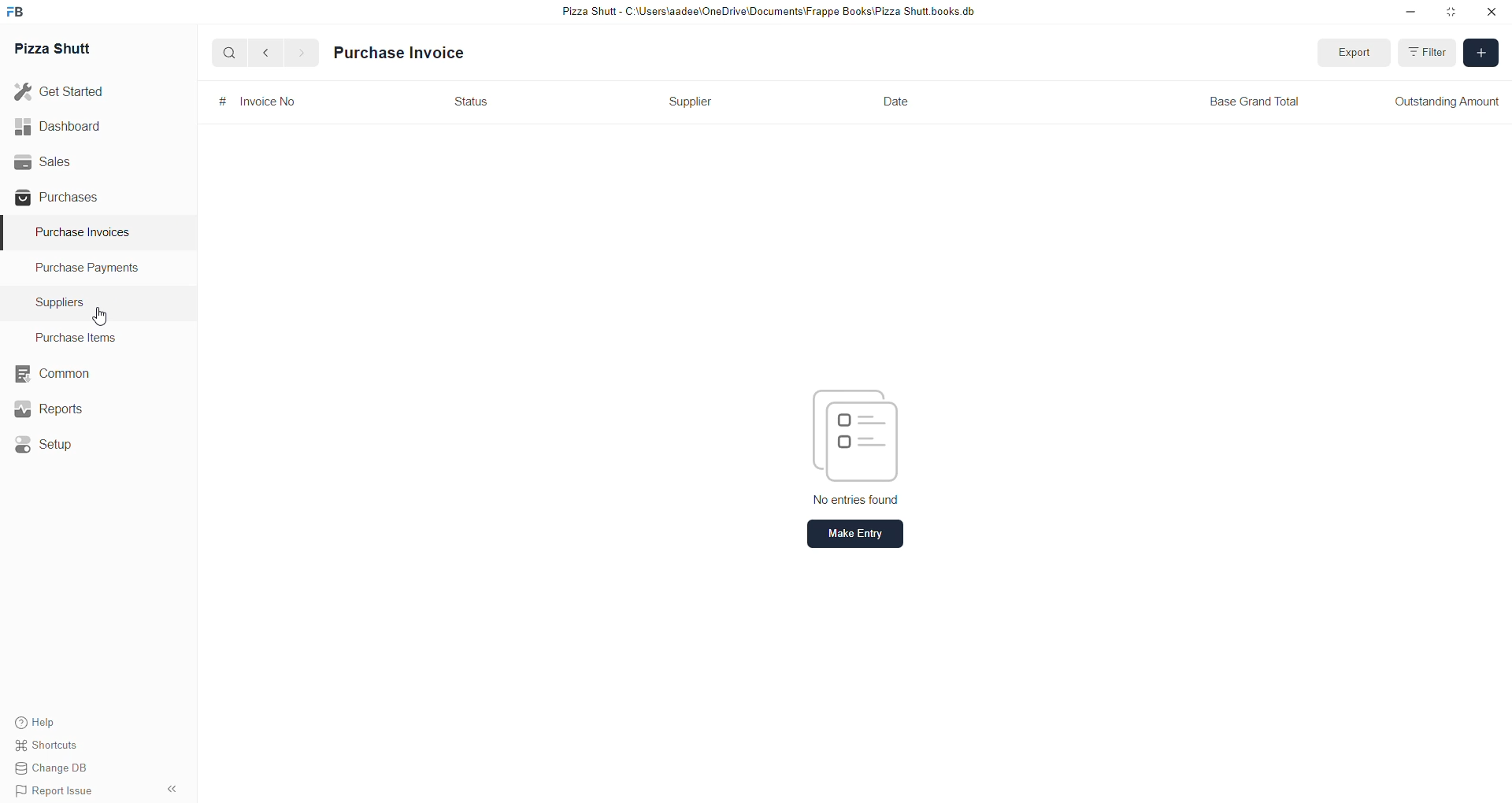 The width and height of the screenshot is (1512, 803). What do you see at coordinates (224, 54) in the screenshot?
I see `search` at bounding box center [224, 54].